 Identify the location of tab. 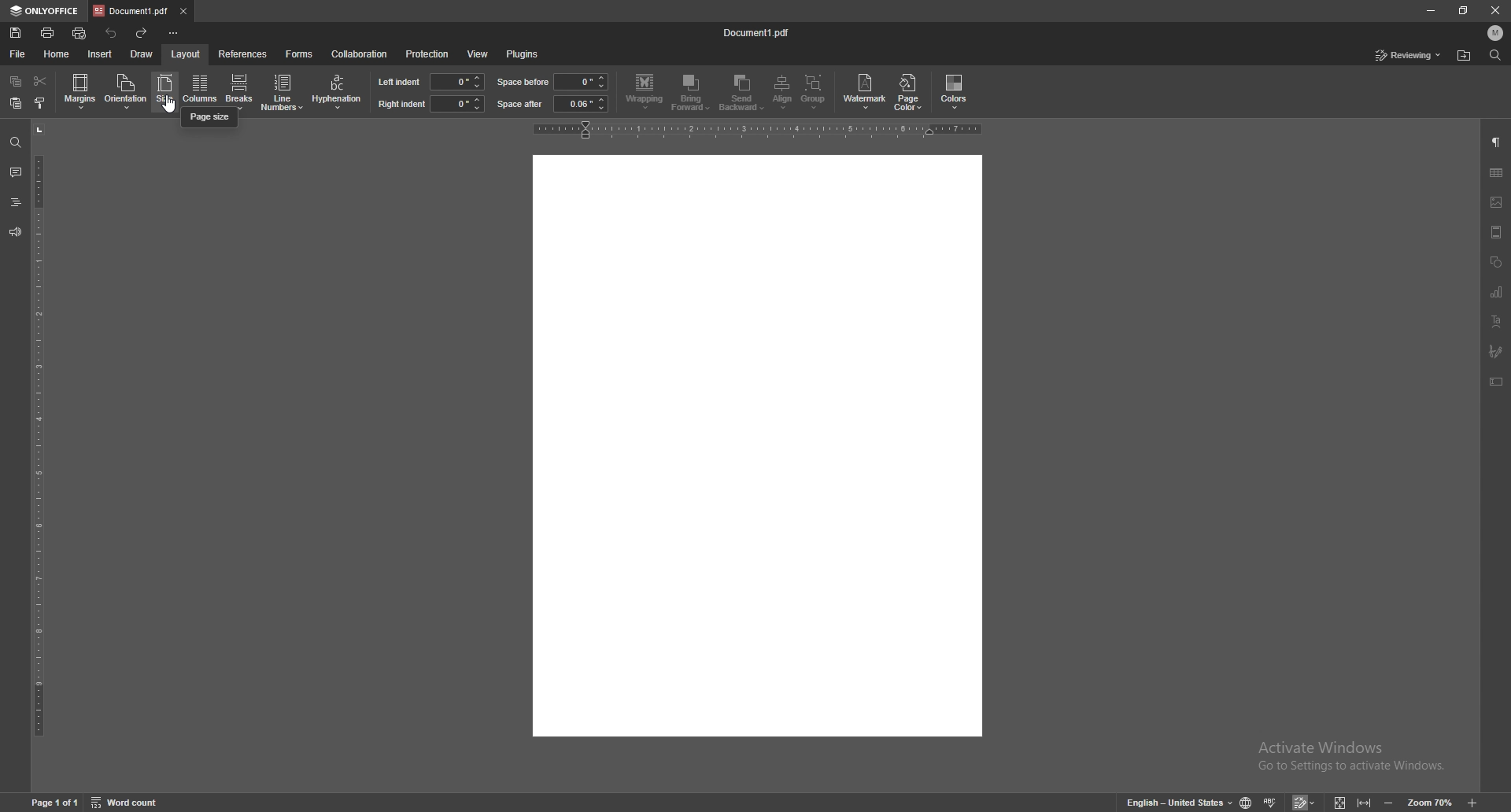
(131, 9).